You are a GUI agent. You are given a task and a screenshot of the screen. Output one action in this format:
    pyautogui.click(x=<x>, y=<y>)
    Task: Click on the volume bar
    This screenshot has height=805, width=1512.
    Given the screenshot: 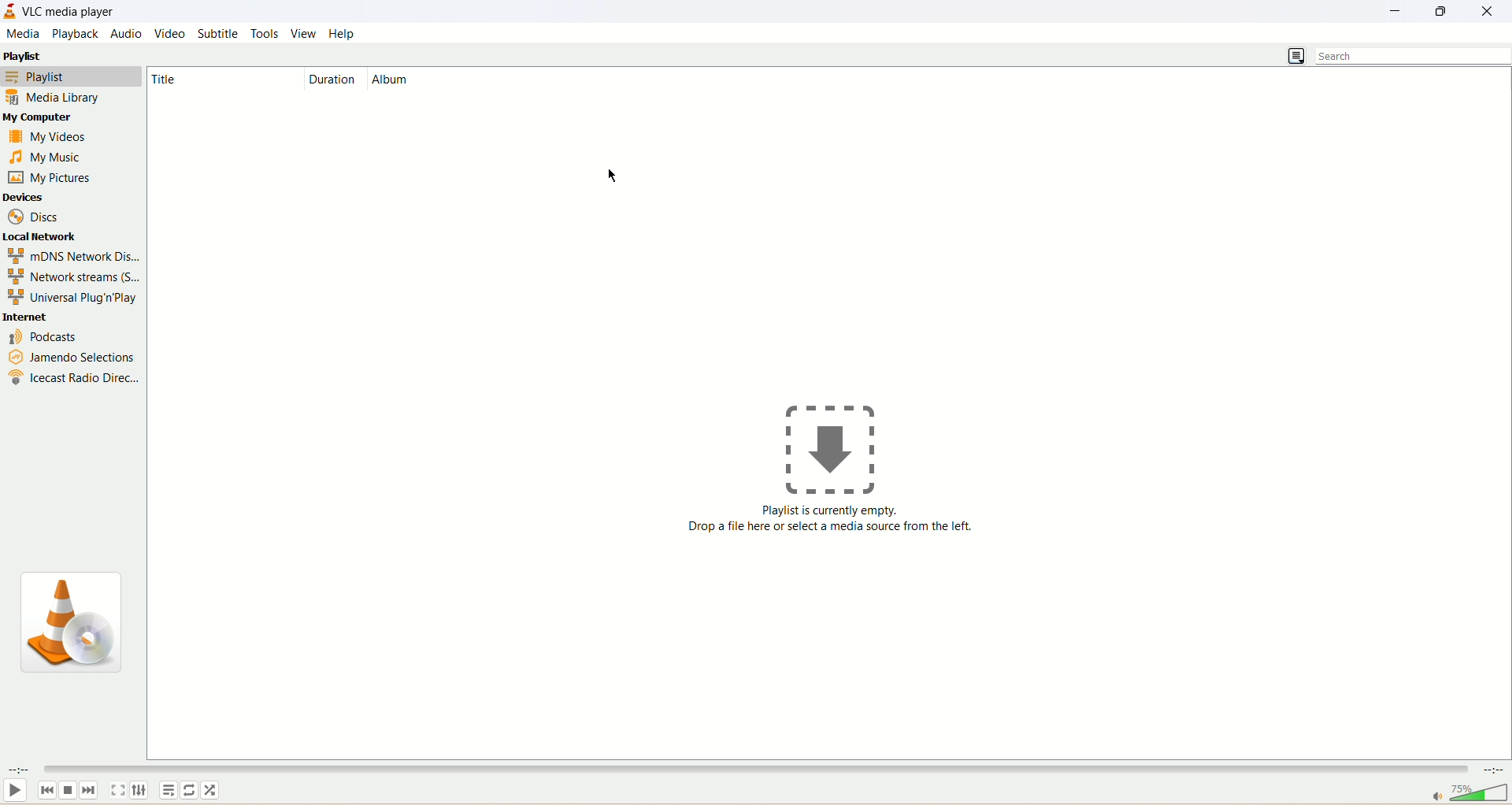 What is the action you would take?
    pyautogui.click(x=1469, y=792)
    